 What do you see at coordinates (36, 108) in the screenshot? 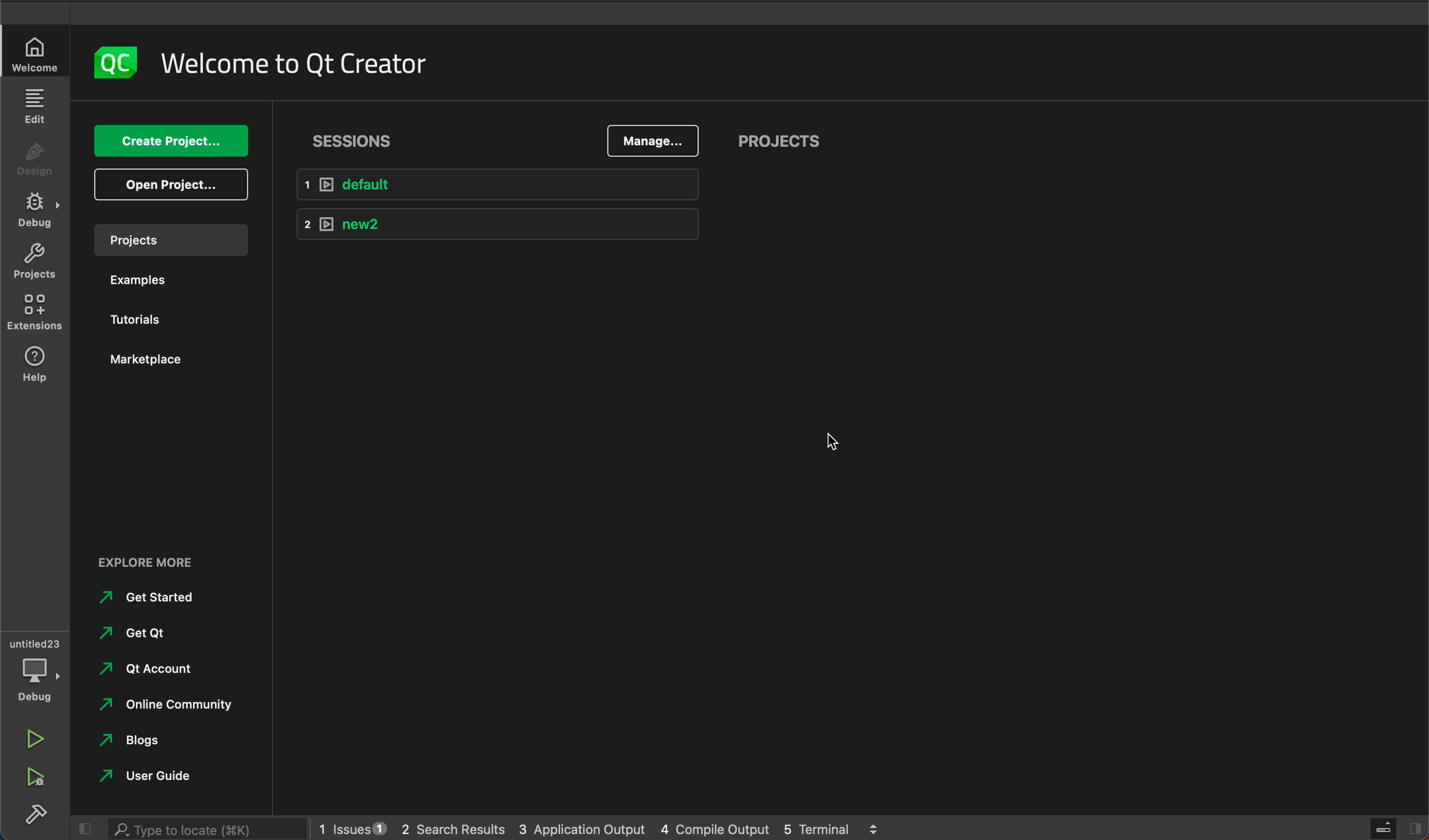
I see `edit` at bounding box center [36, 108].